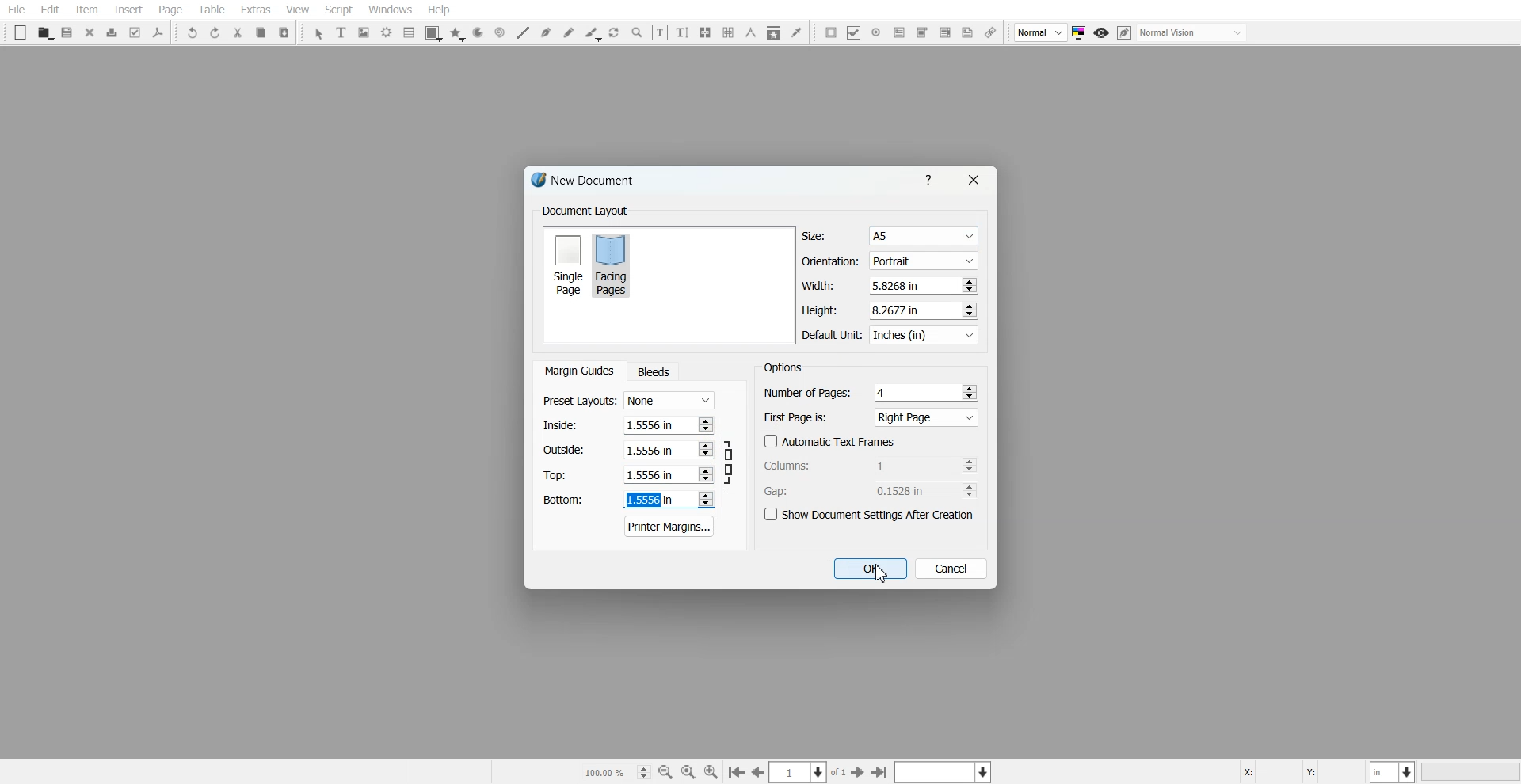 The image size is (1521, 784). What do you see at coordinates (438, 10) in the screenshot?
I see `Help` at bounding box center [438, 10].